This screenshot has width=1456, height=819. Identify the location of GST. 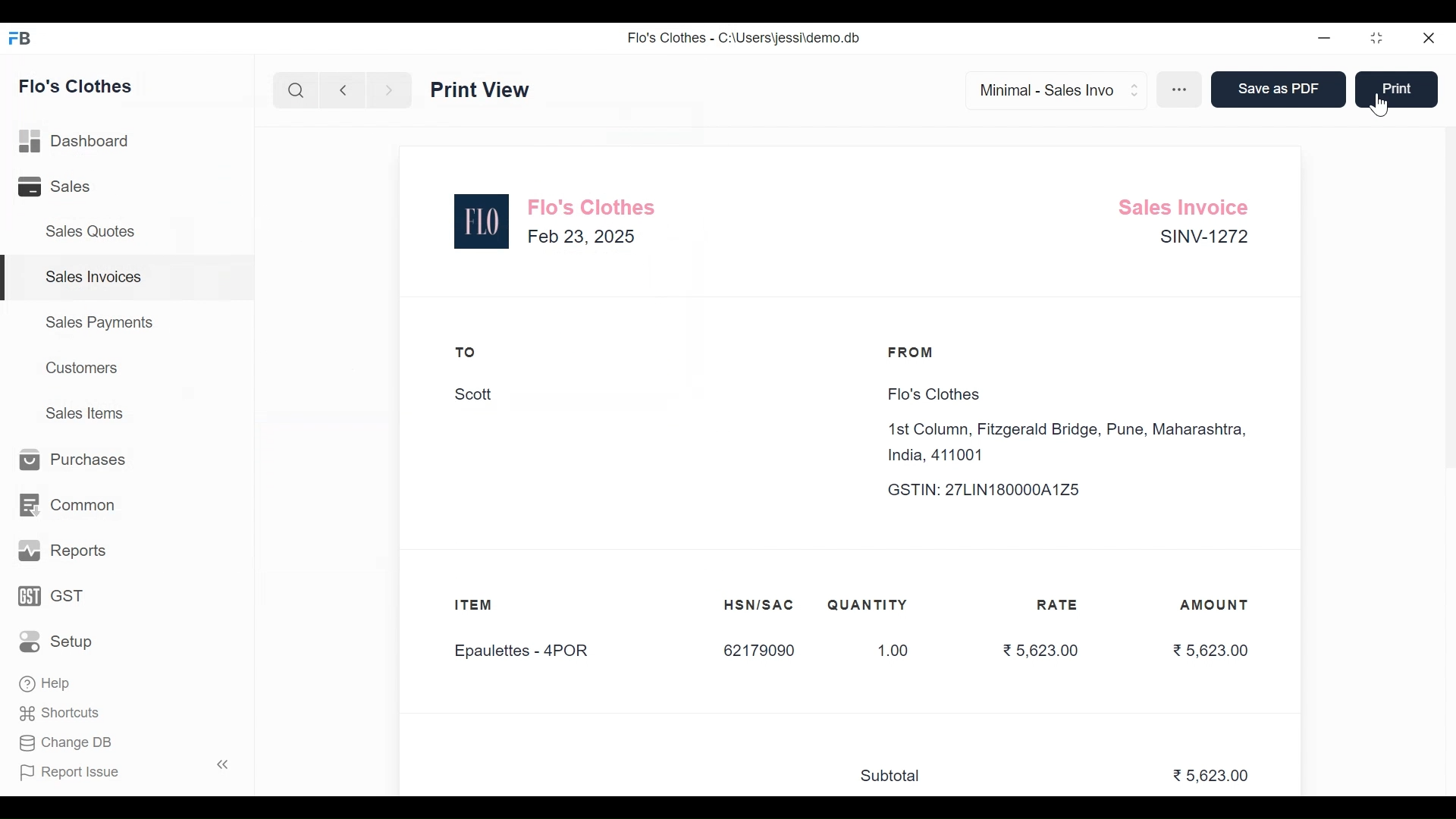
(52, 595).